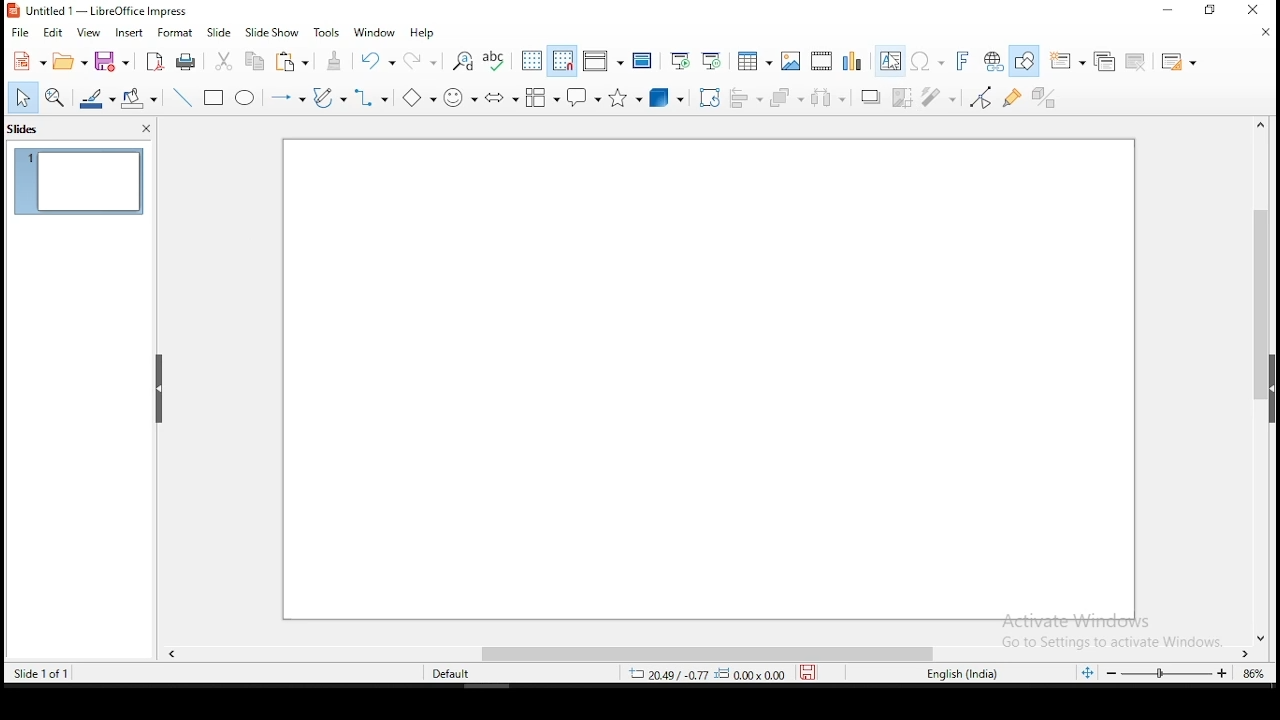  Describe the element at coordinates (224, 61) in the screenshot. I see `cut` at that location.